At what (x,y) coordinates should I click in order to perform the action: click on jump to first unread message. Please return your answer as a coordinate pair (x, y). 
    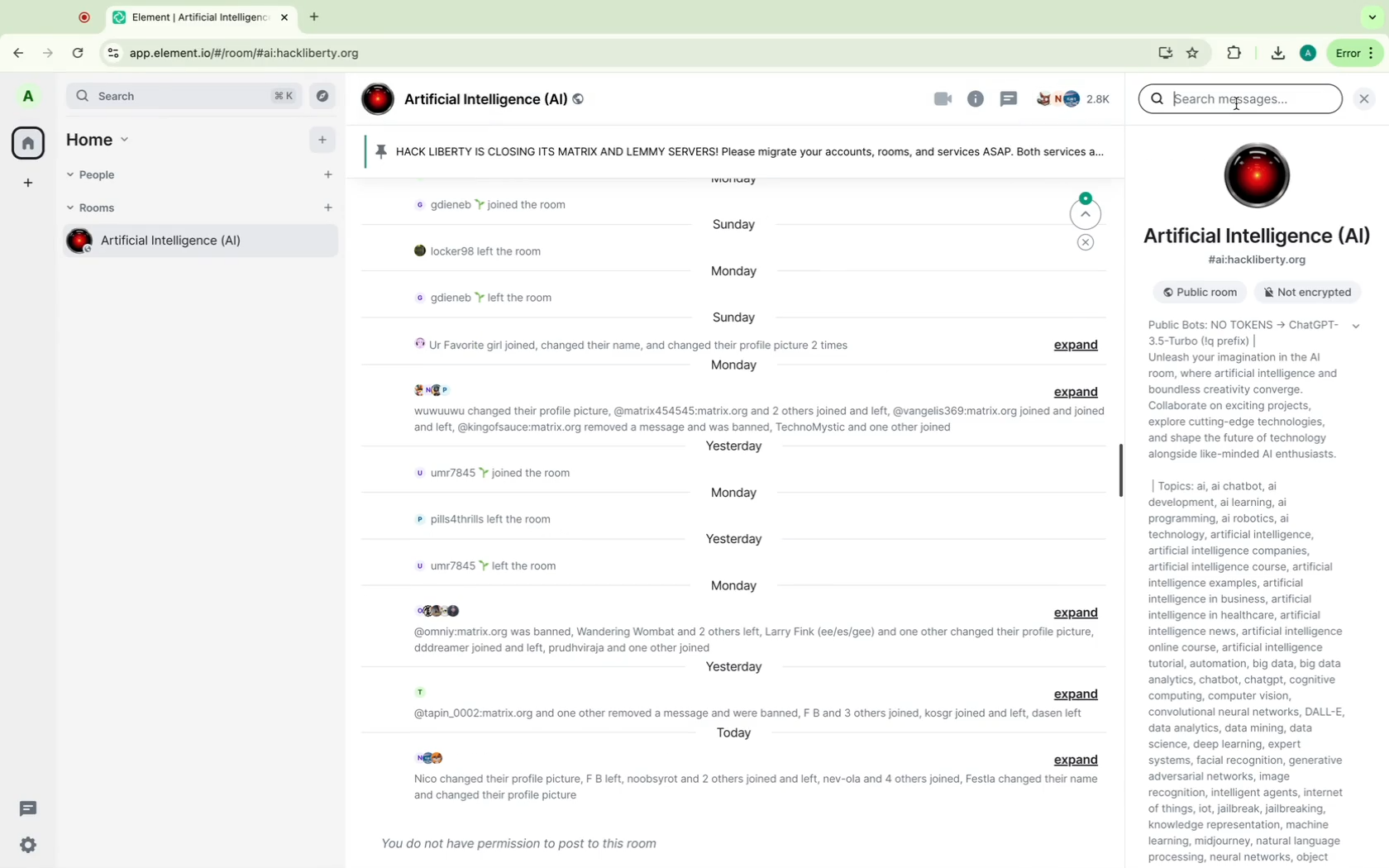
    Looking at the image, I should click on (1087, 210).